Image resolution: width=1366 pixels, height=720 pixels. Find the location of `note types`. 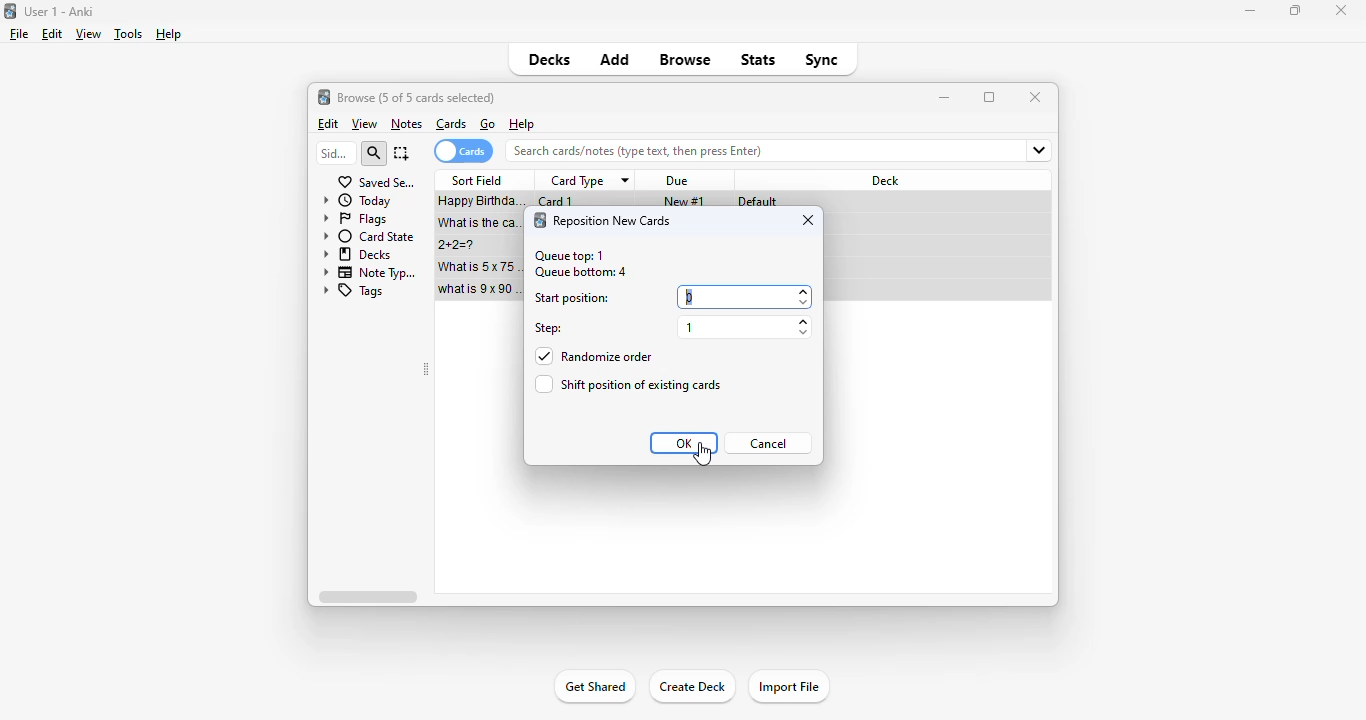

note types is located at coordinates (371, 273).